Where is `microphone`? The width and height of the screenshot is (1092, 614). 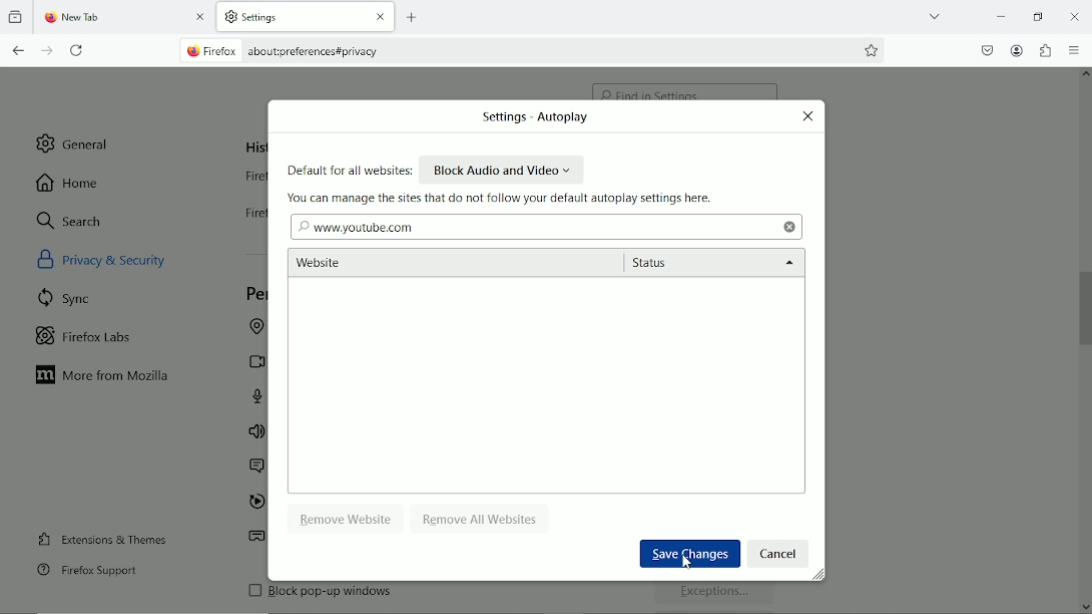
microphone is located at coordinates (260, 396).